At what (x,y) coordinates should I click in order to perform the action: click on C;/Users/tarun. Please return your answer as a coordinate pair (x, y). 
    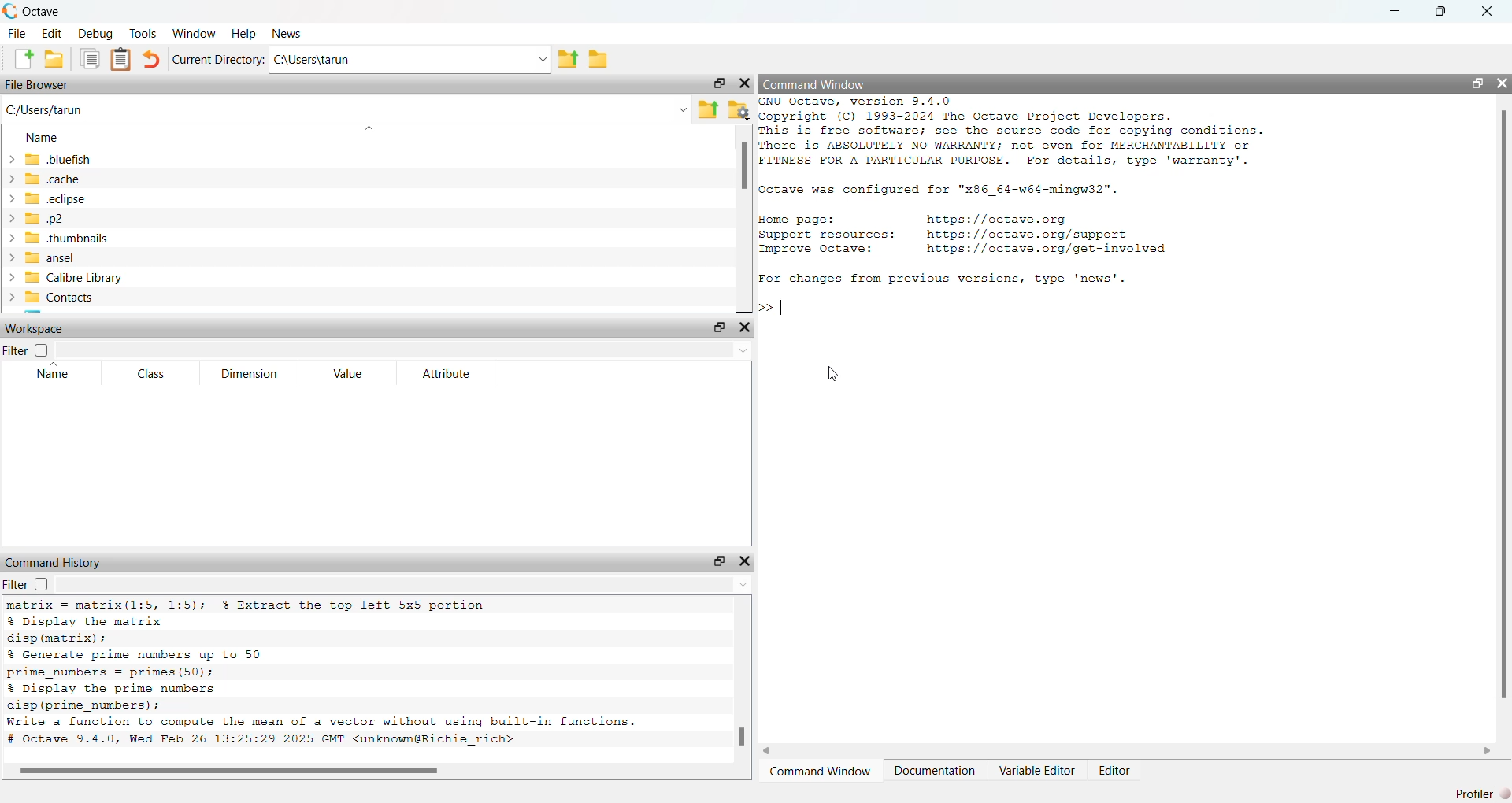
    Looking at the image, I should click on (46, 111).